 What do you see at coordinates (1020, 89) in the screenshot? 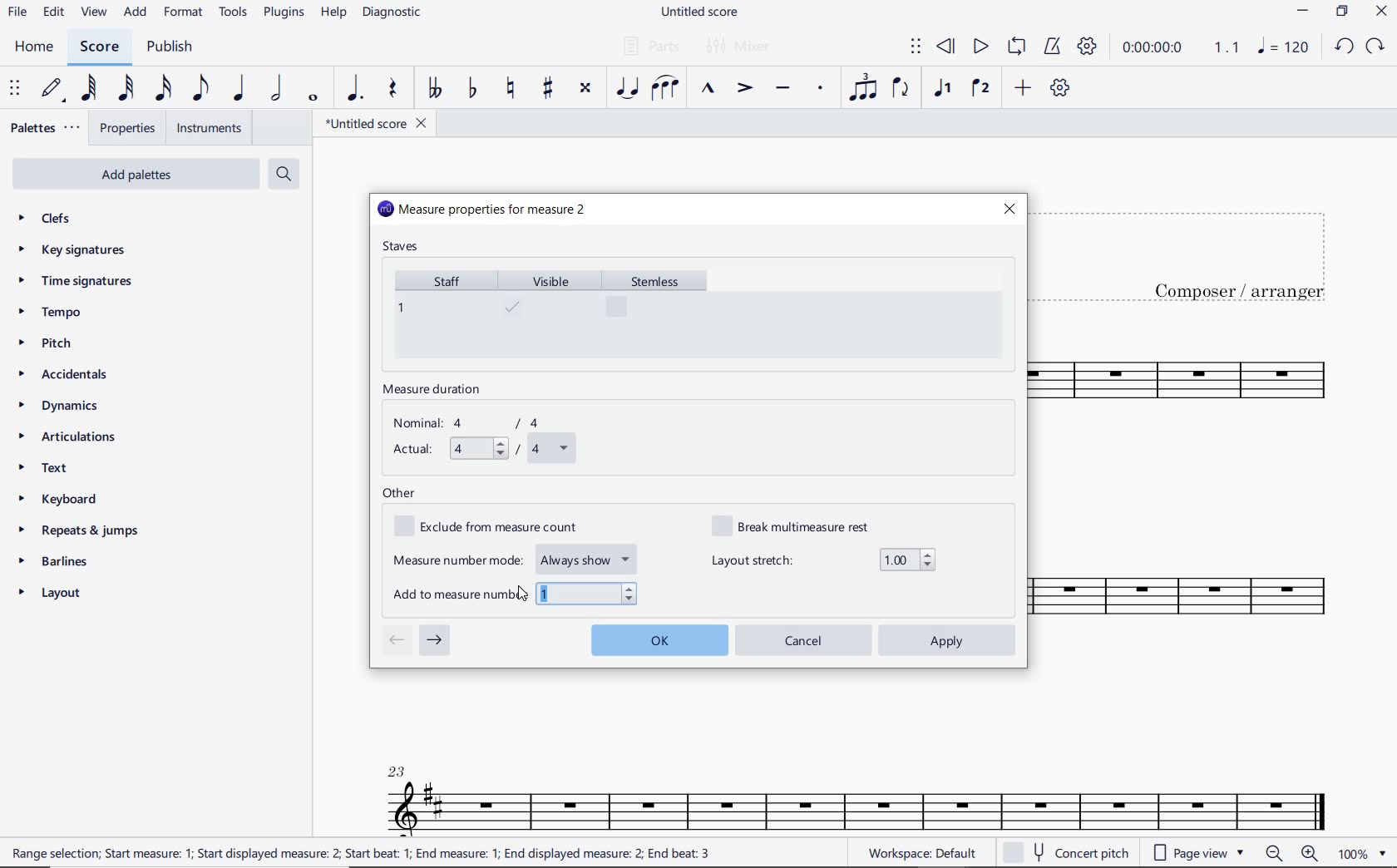
I see `ADD` at bounding box center [1020, 89].